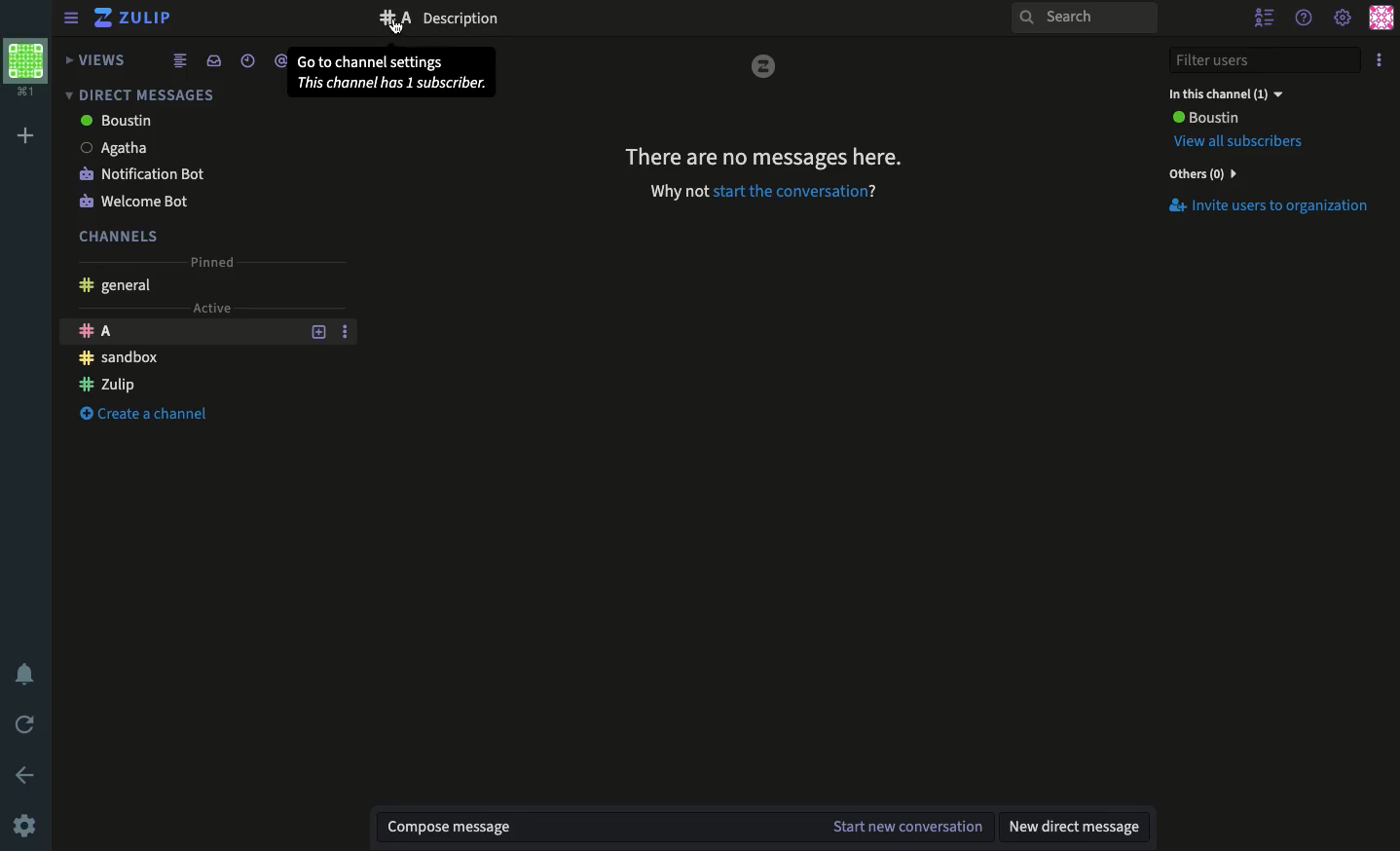 The height and width of the screenshot is (851, 1400). Describe the element at coordinates (1205, 118) in the screenshot. I see `boustin` at that location.